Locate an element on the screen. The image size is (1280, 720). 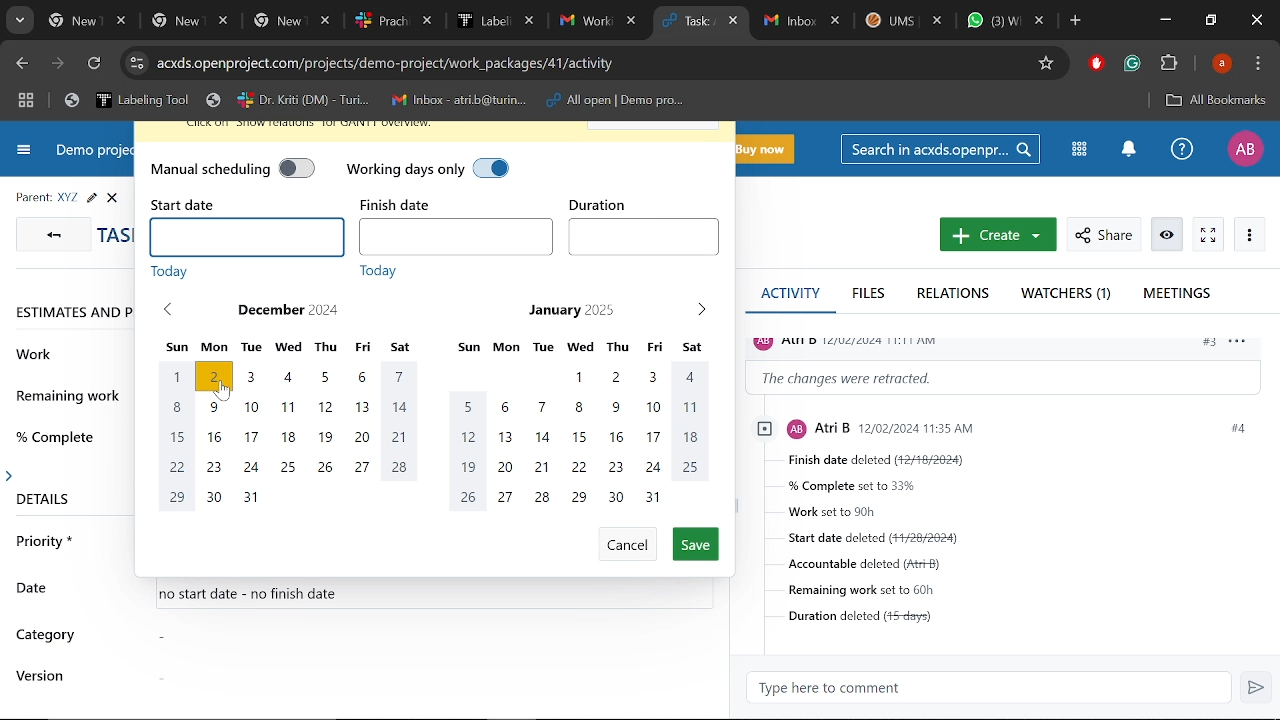
Cite address is located at coordinates (398, 64).